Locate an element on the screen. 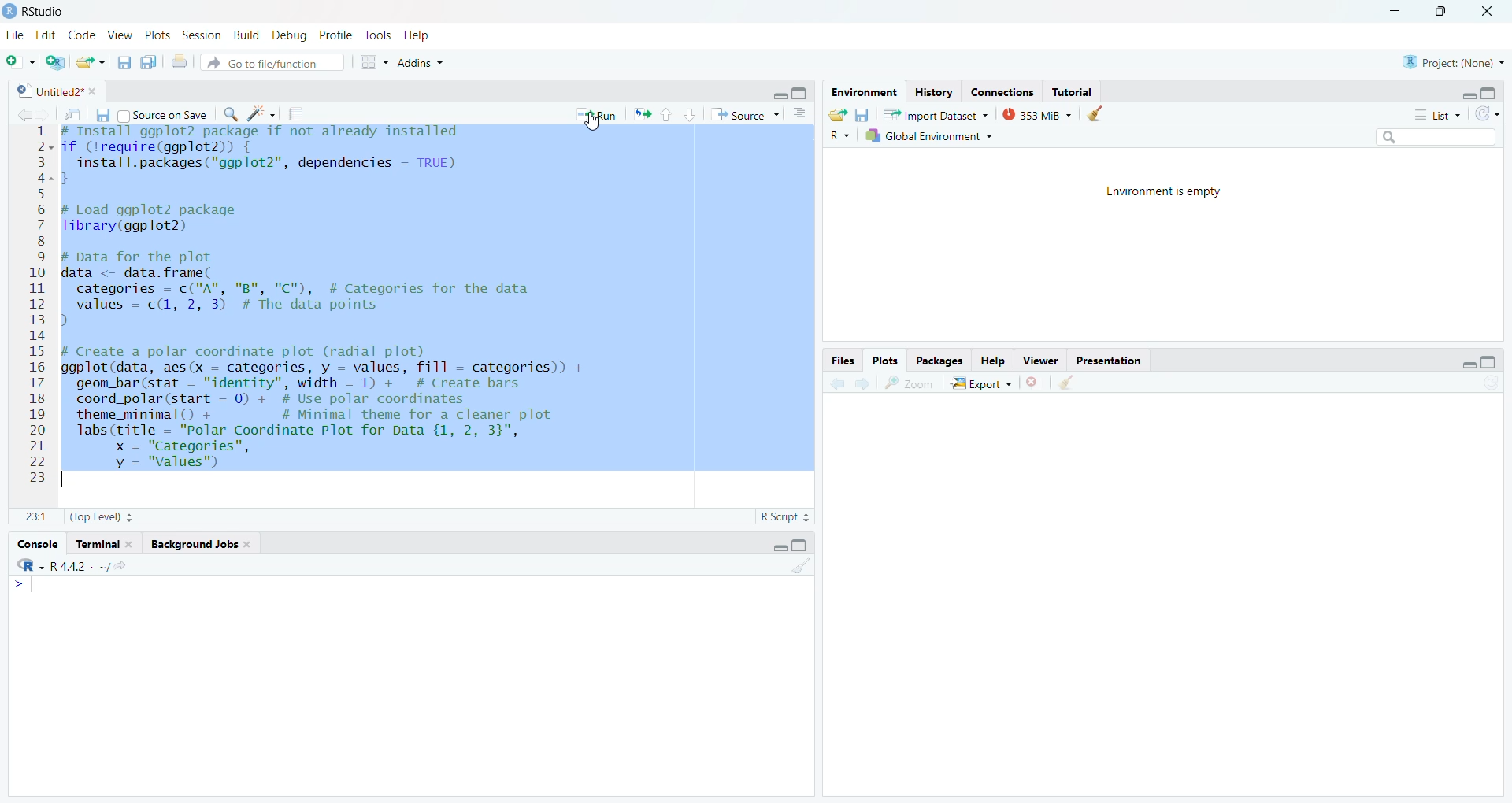 The width and height of the screenshot is (1512, 803). save all open documents is located at coordinates (148, 62).